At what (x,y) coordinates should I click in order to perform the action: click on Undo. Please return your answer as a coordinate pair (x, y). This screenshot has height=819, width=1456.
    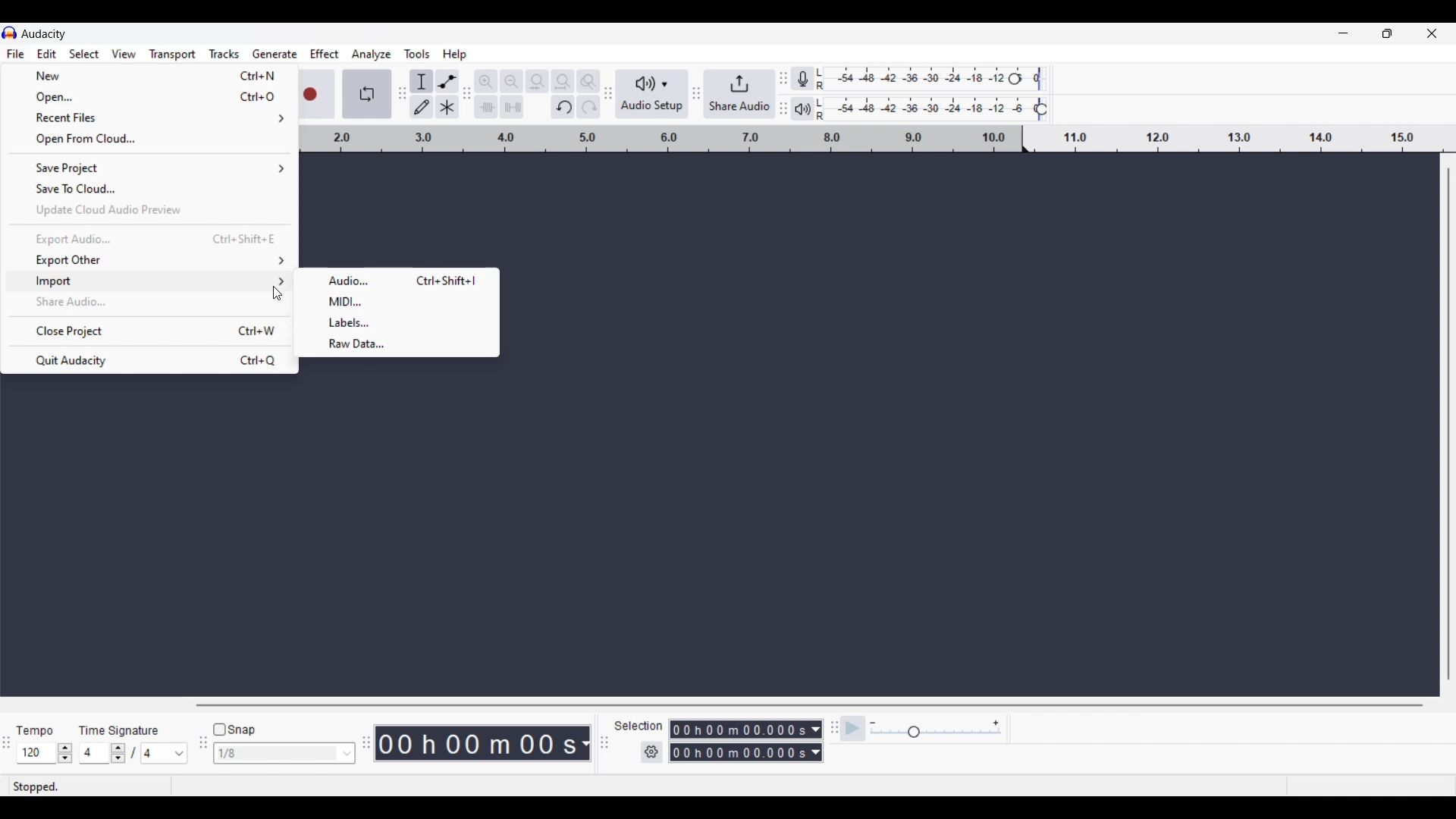
    Looking at the image, I should click on (563, 107).